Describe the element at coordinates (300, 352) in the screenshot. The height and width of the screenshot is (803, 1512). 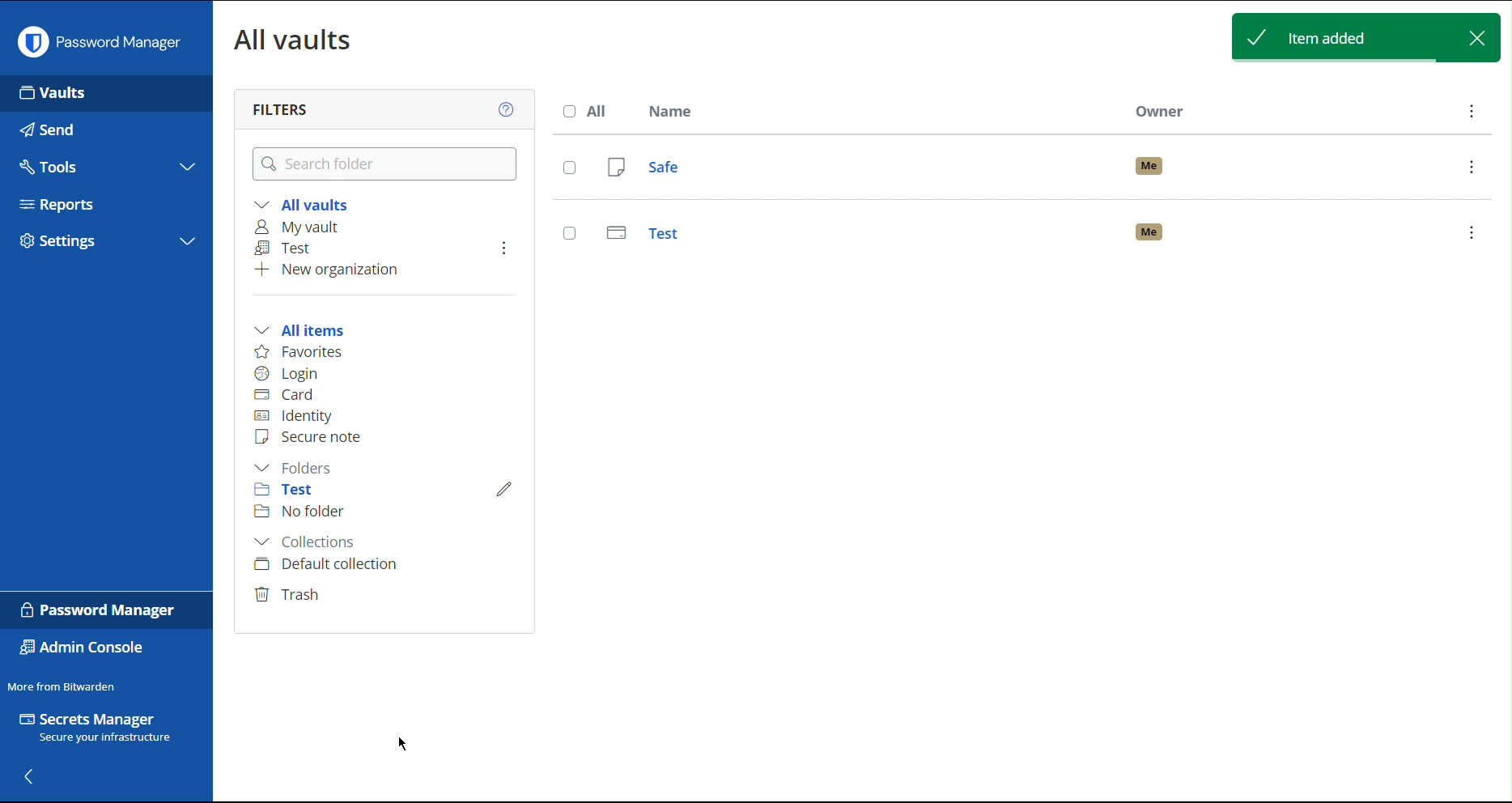
I see `Favorites` at that location.